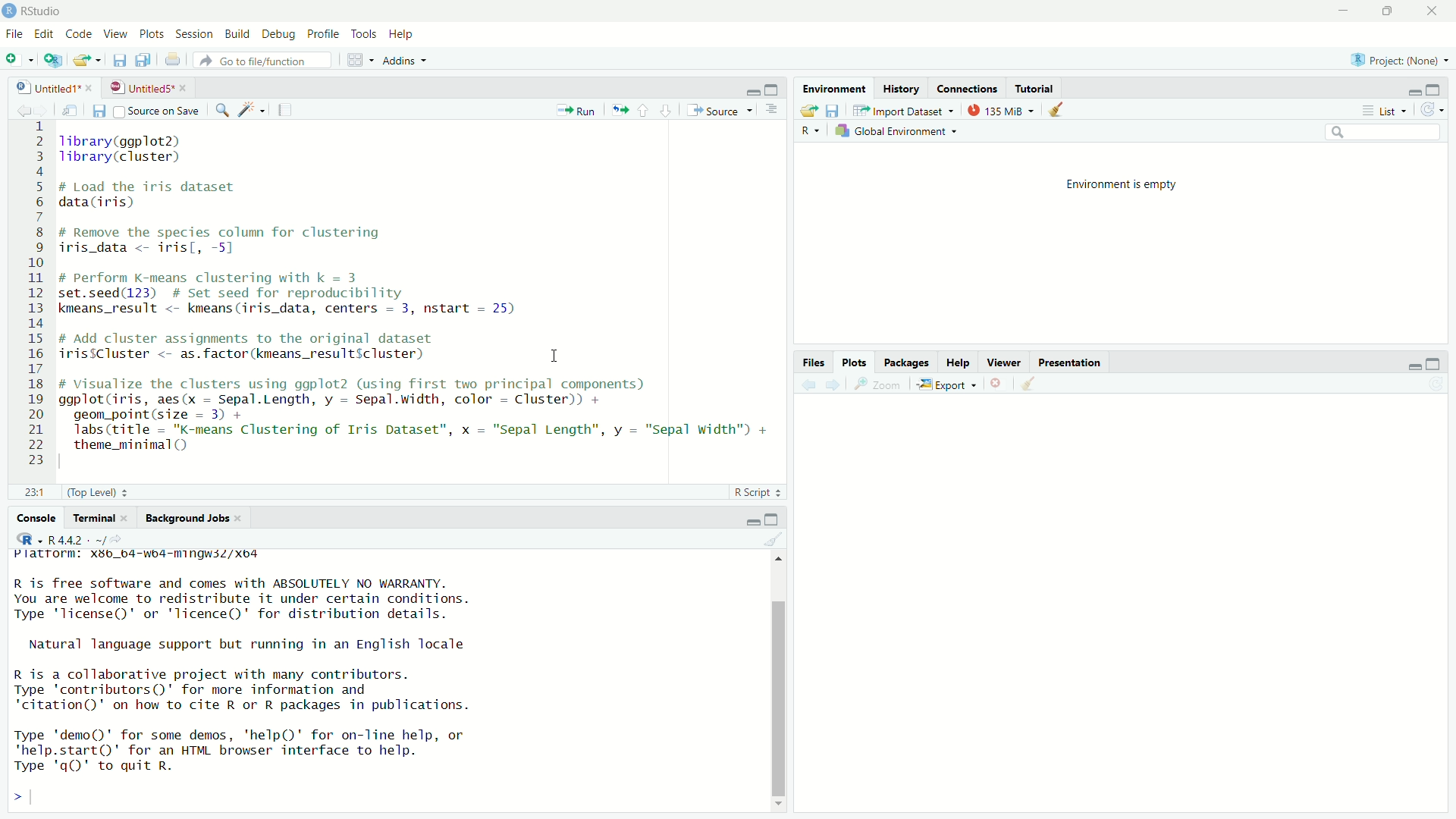 This screenshot has height=819, width=1456. I want to click on session, so click(194, 33).